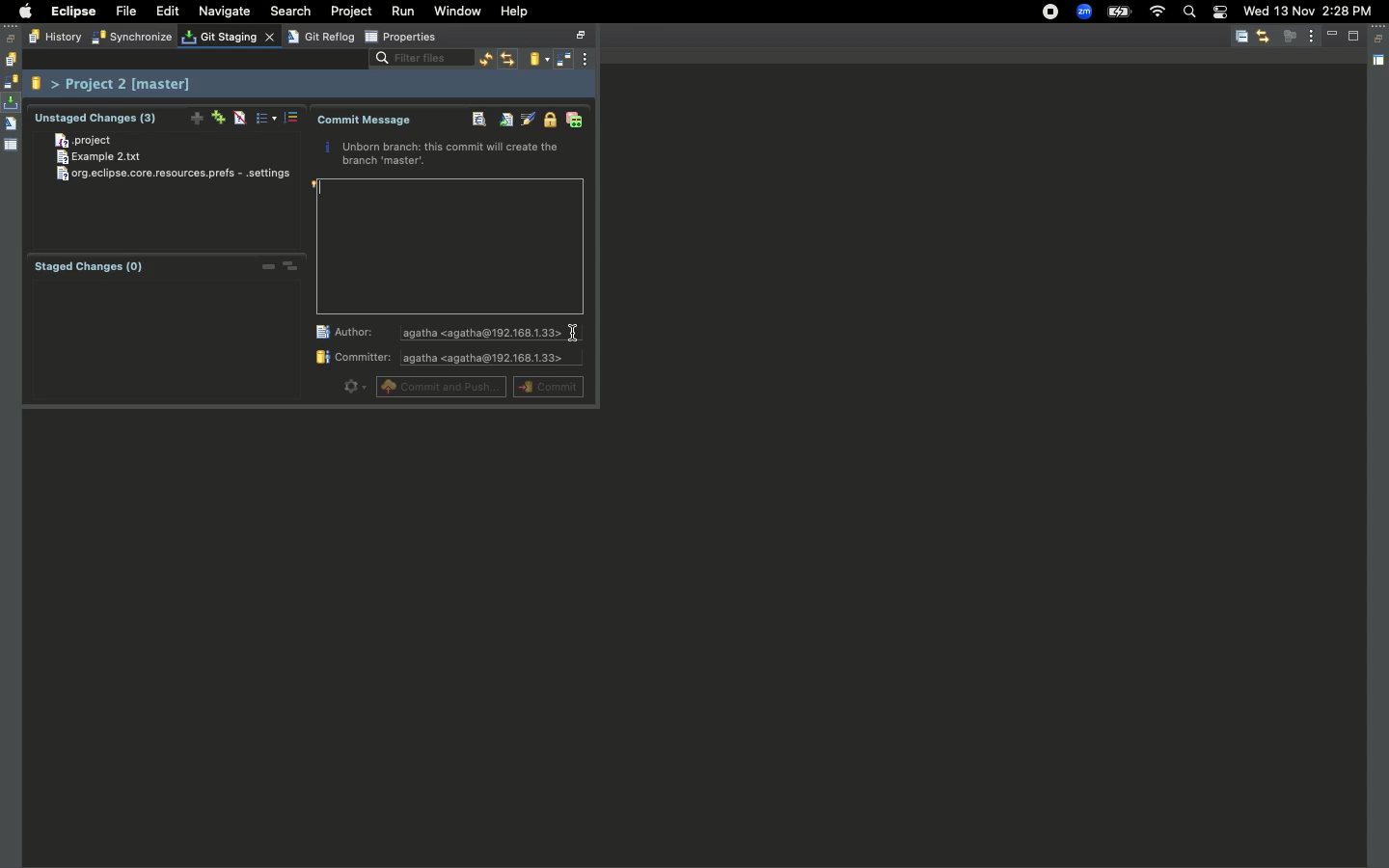 The height and width of the screenshot is (868, 1389). I want to click on Minimize, so click(1335, 36).